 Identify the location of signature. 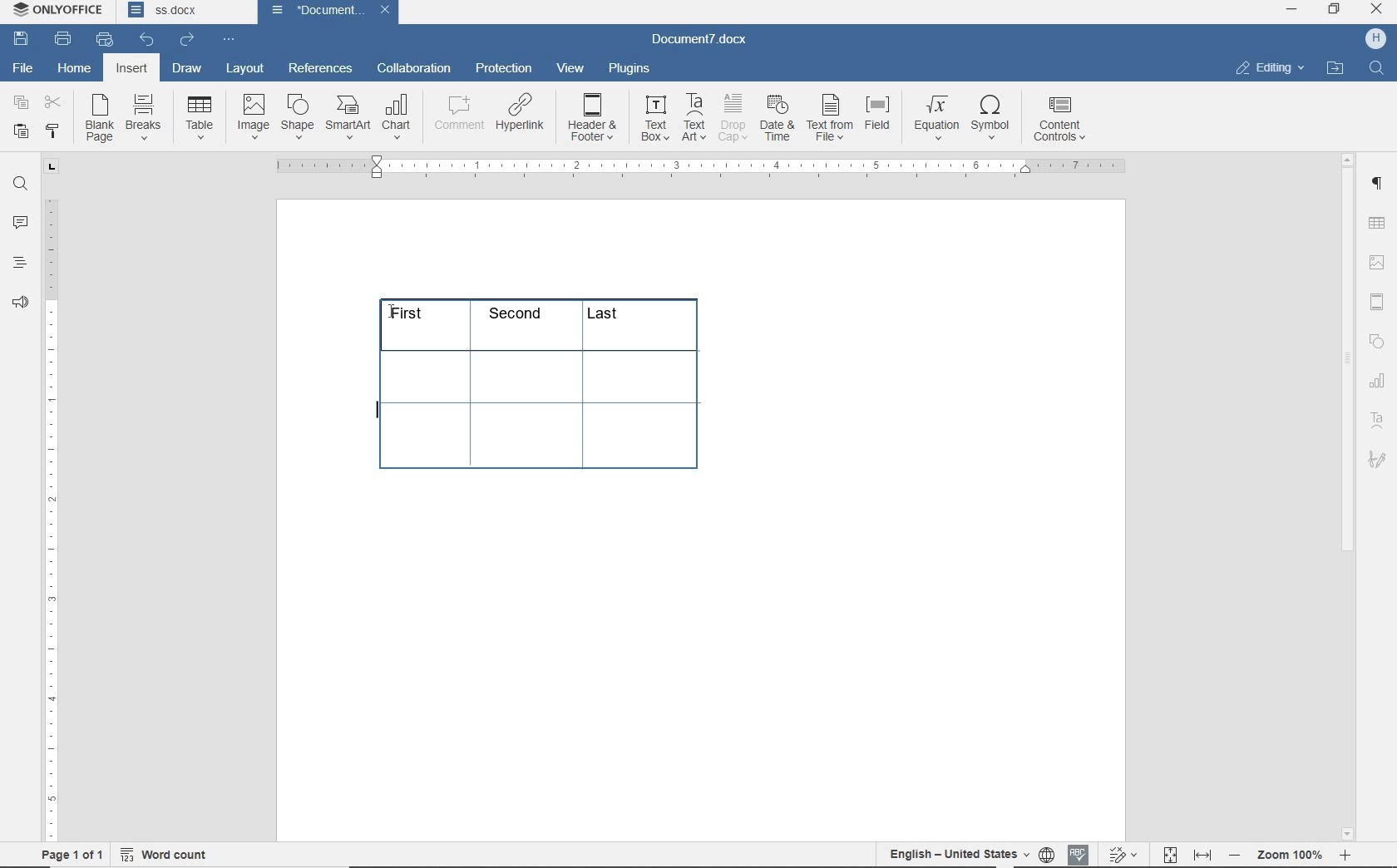
(1379, 462).